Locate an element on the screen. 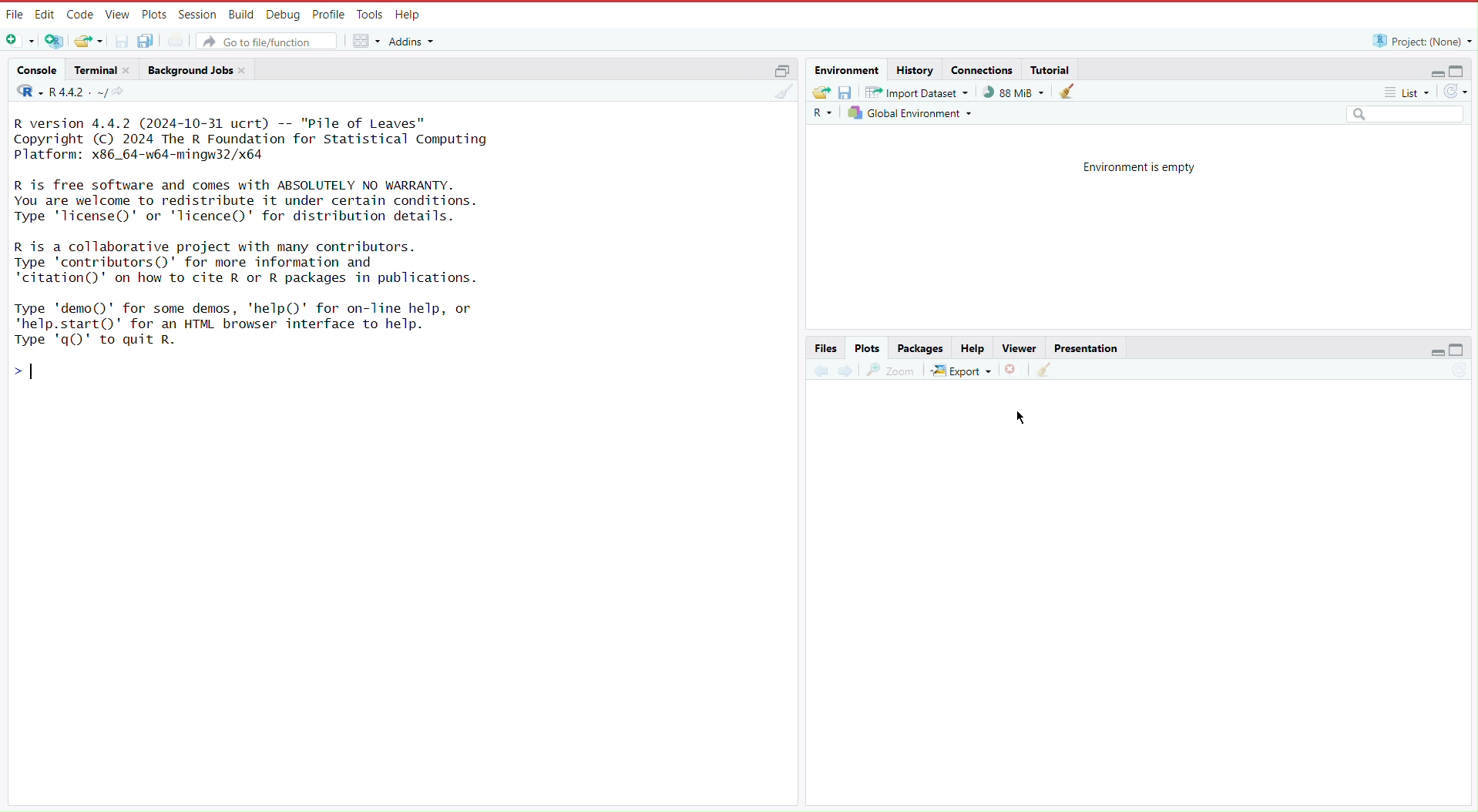  View the current working directory is located at coordinates (123, 92).